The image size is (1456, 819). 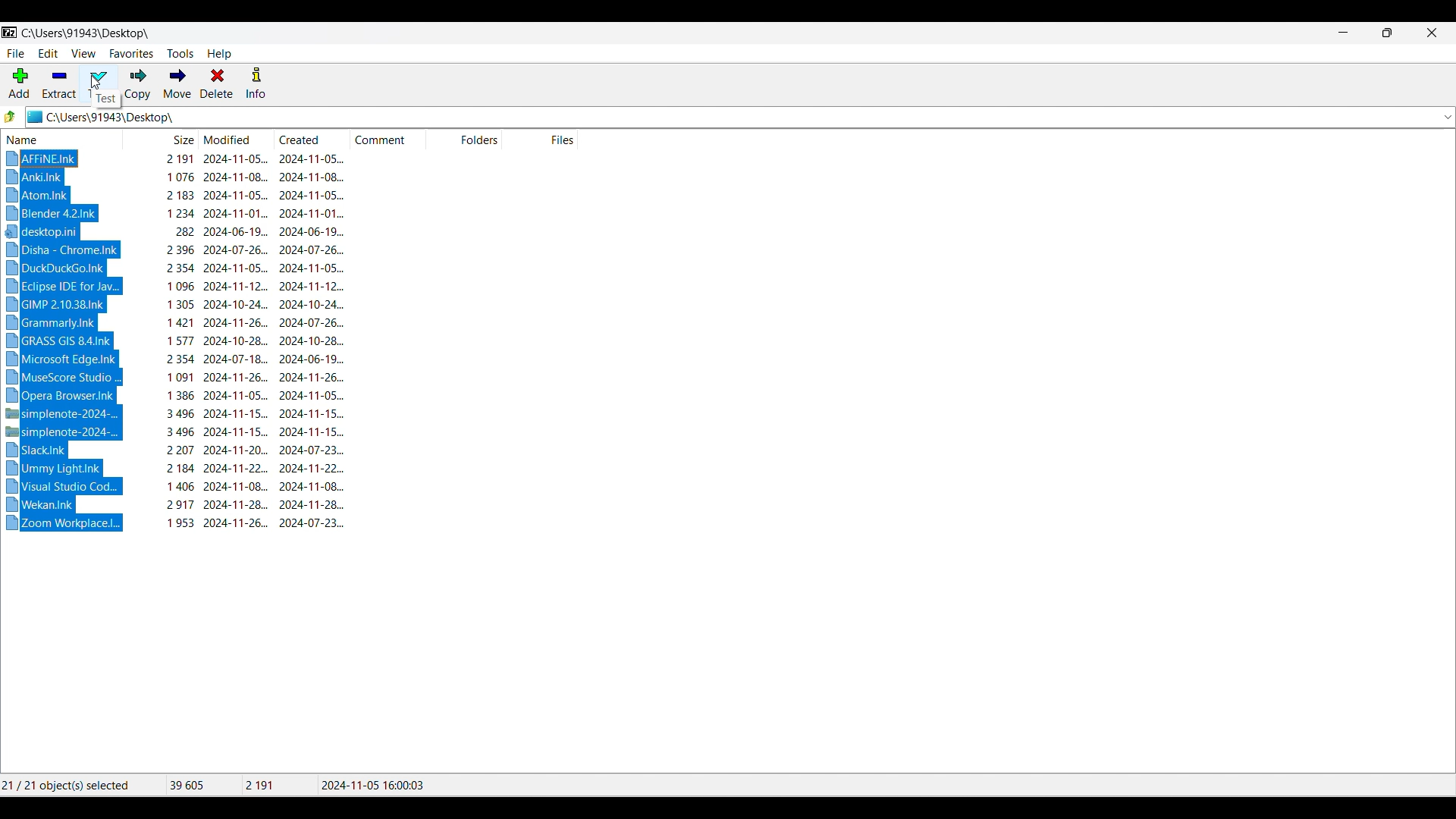 I want to click on Software logo, so click(x=9, y=32).